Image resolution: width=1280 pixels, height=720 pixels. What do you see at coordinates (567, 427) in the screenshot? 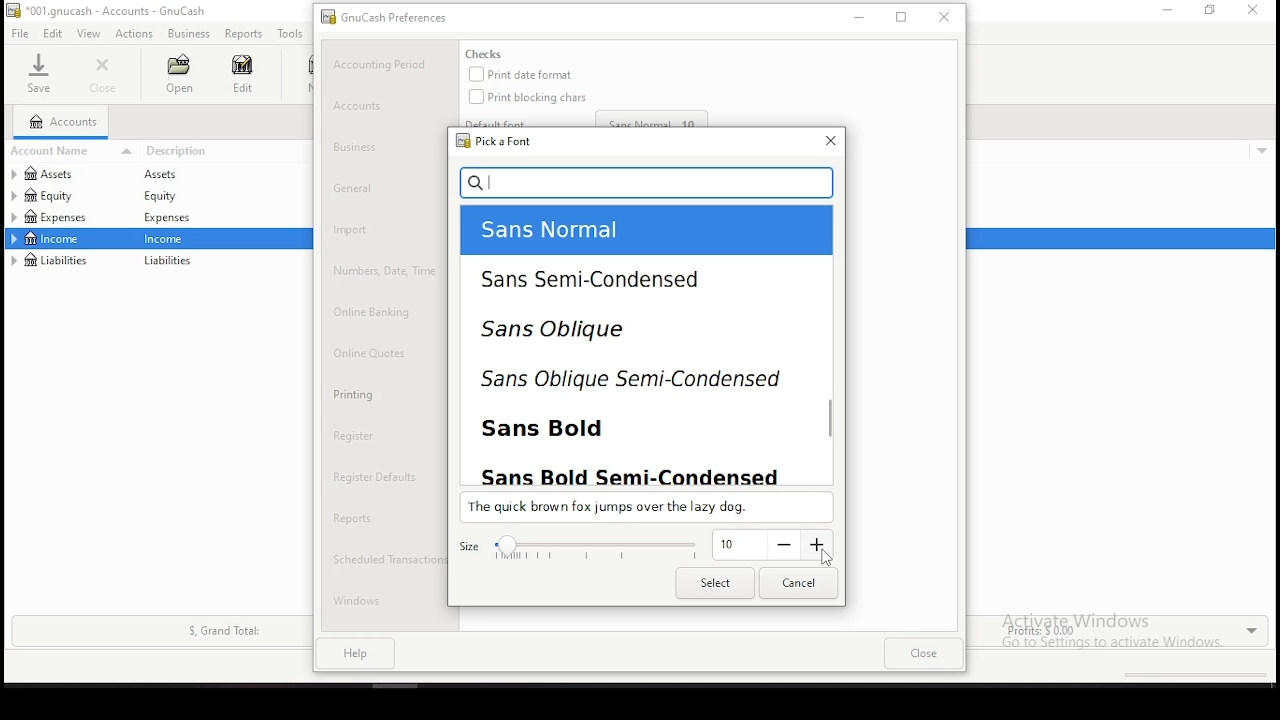
I see `sans bold` at bounding box center [567, 427].